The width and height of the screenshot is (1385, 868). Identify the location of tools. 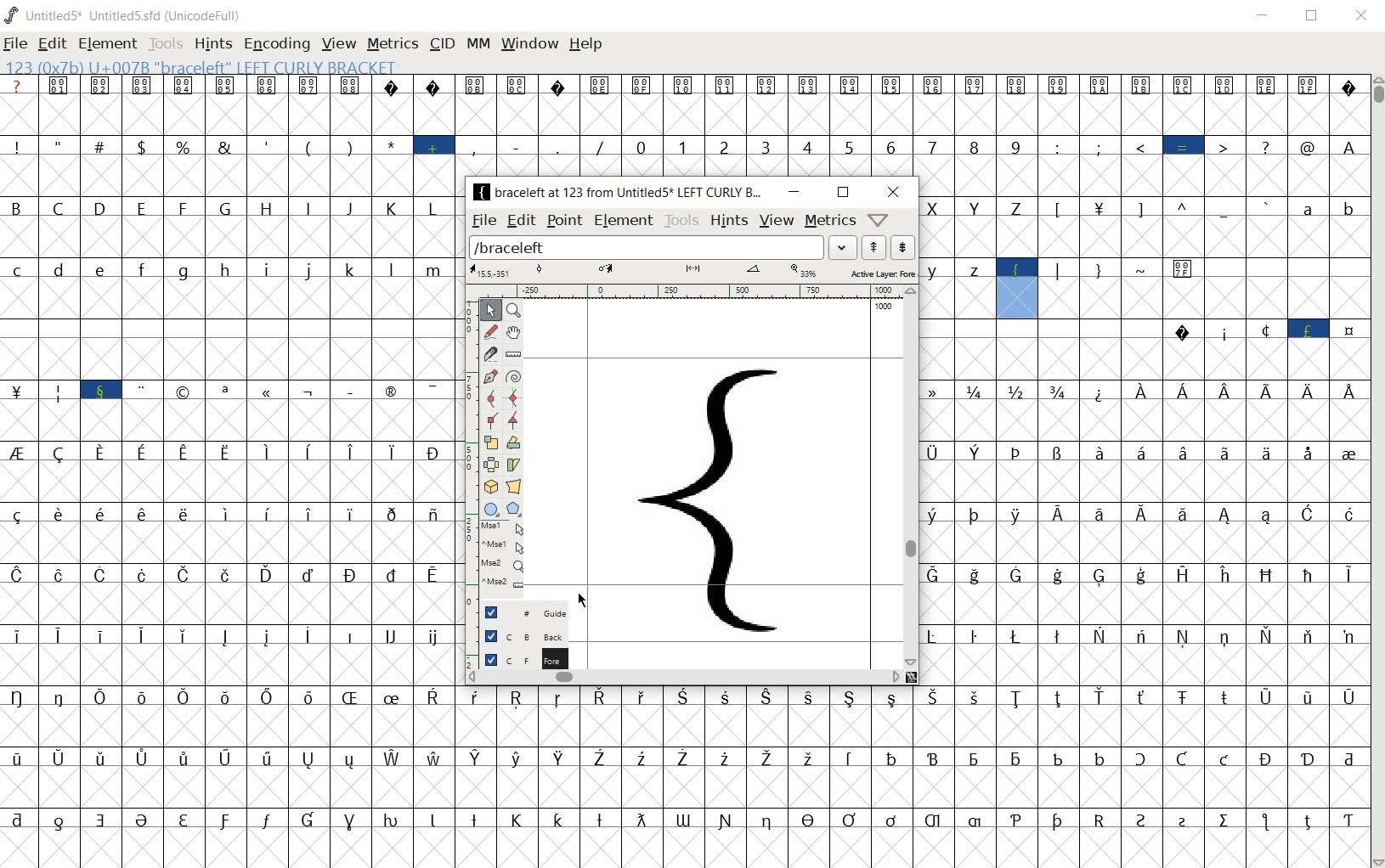
(681, 220).